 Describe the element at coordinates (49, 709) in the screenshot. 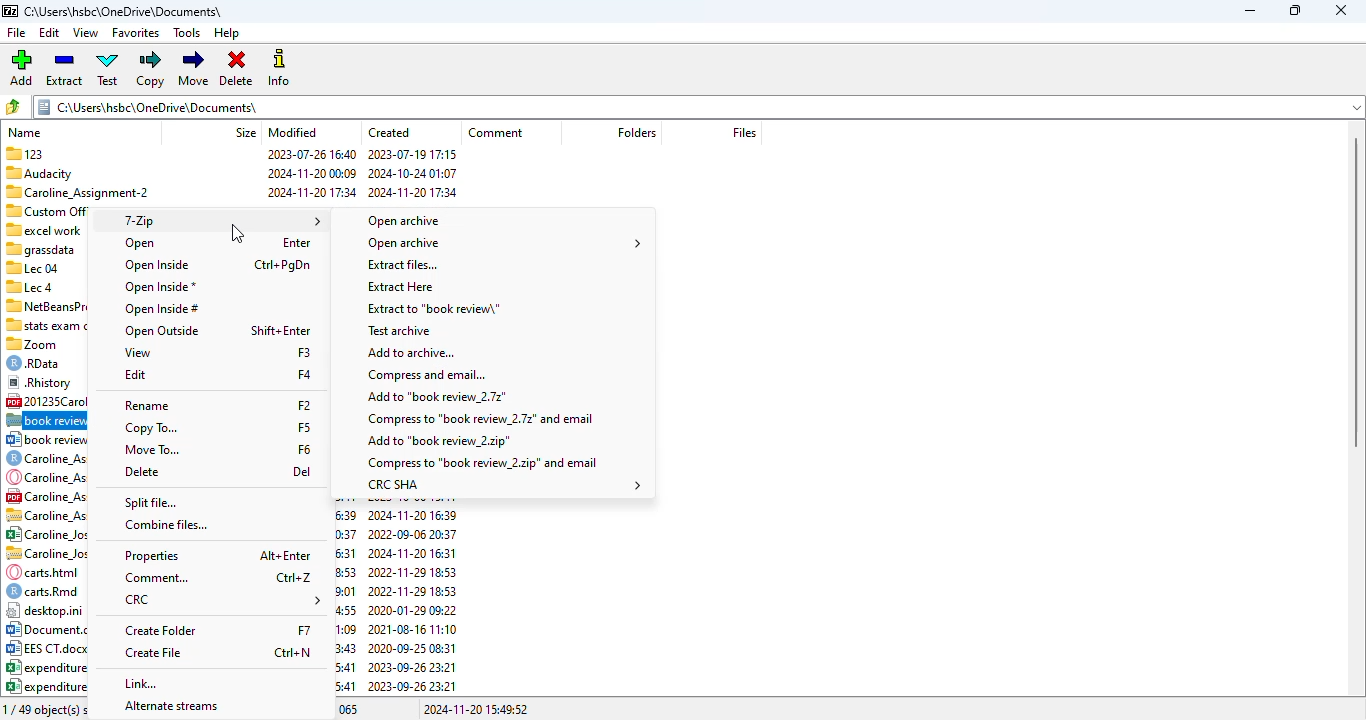

I see `1/49 object(s) selected` at that location.